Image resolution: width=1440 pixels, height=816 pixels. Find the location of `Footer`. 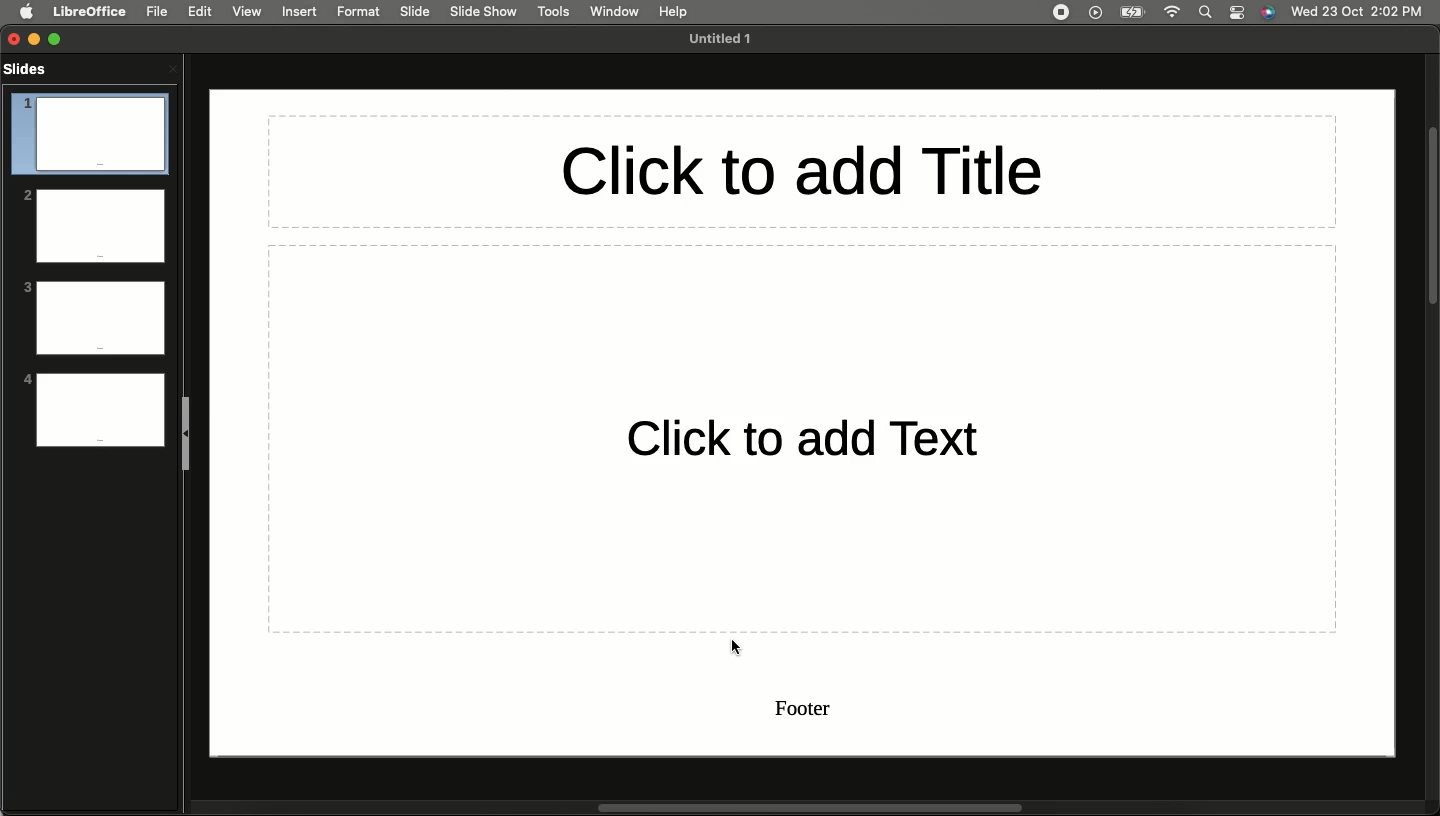

Footer is located at coordinates (101, 256).